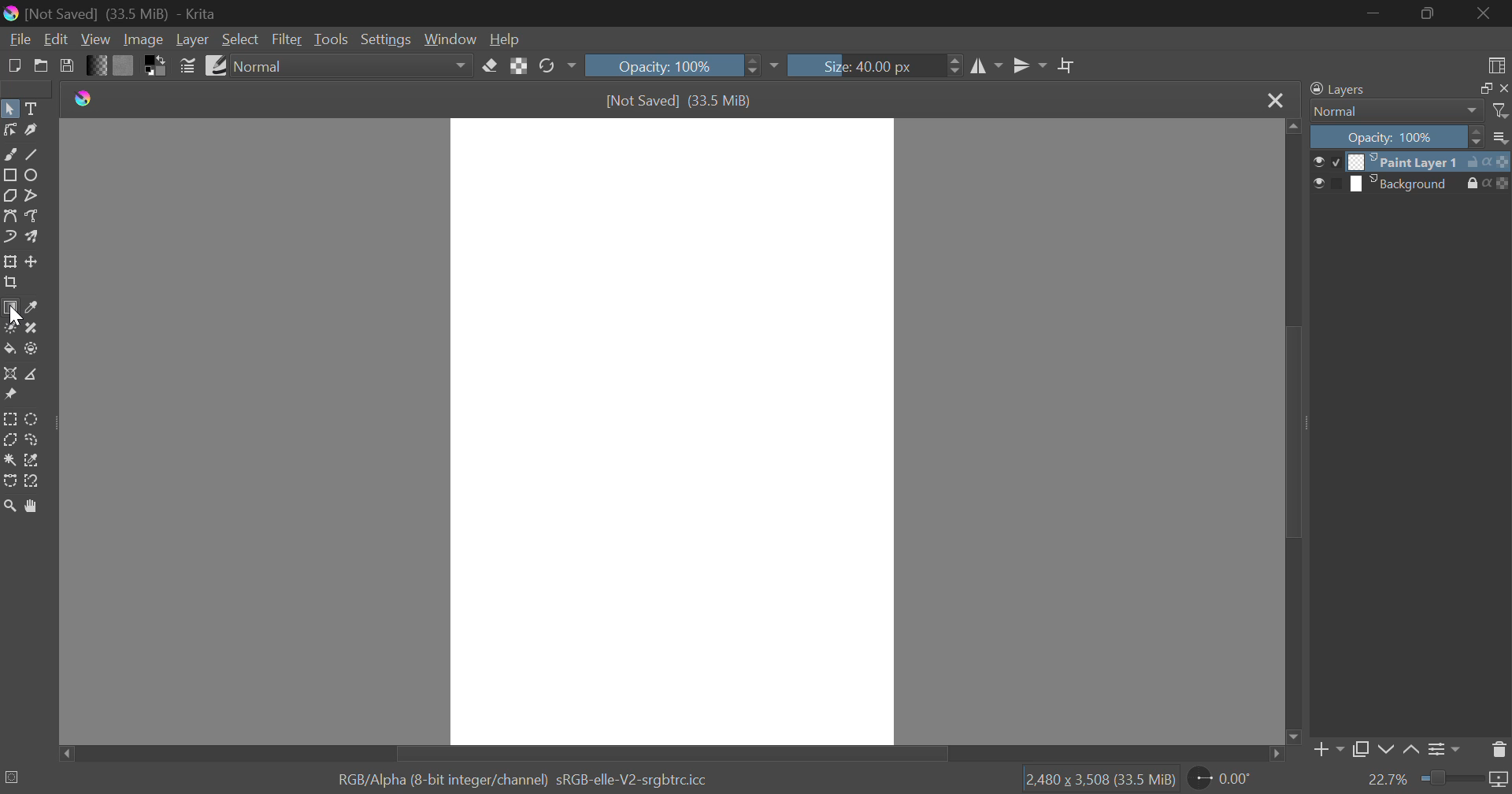 The image size is (1512, 794). Describe the element at coordinates (331, 39) in the screenshot. I see `Tools` at that location.